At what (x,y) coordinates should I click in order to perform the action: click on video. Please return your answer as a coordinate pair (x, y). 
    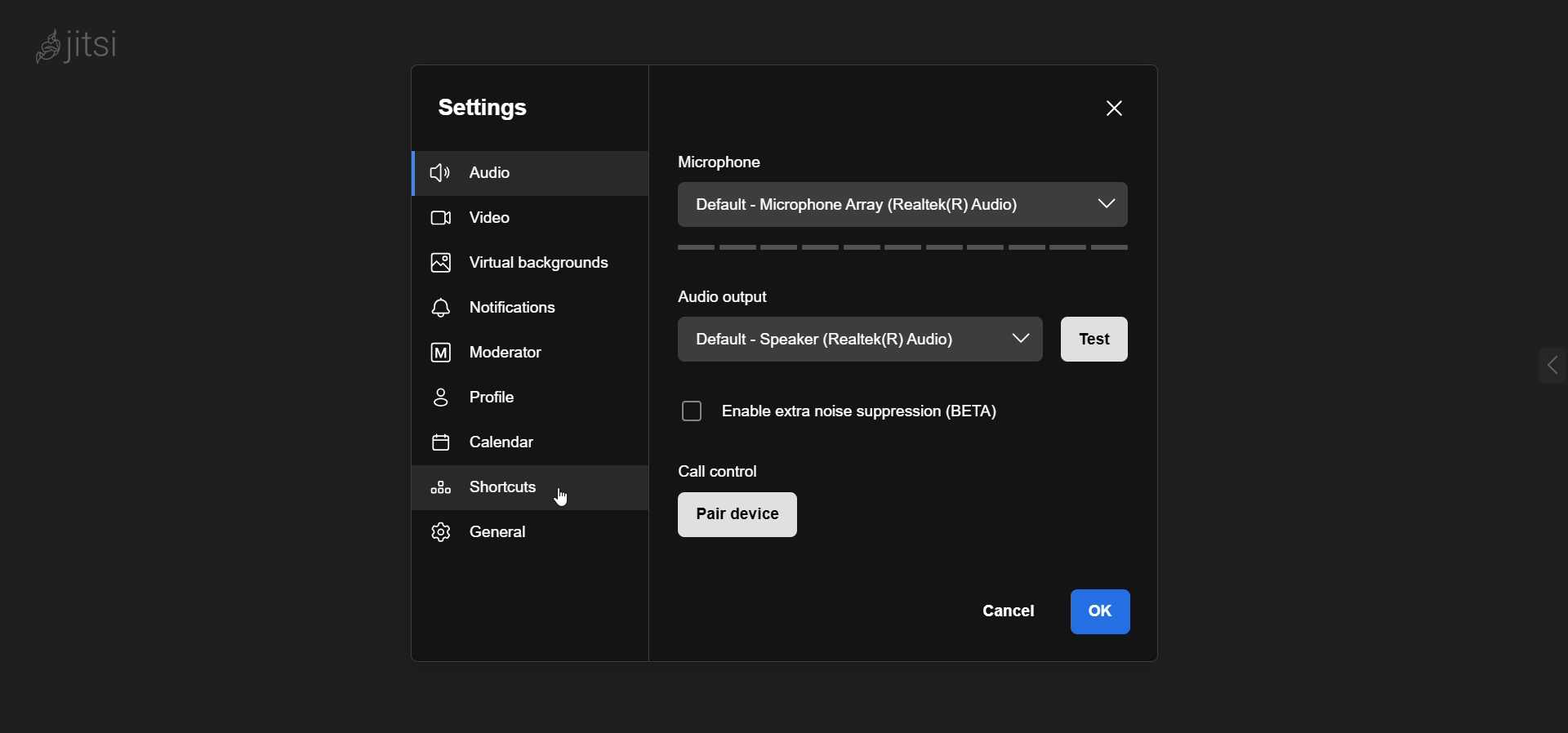
    Looking at the image, I should click on (475, 216).